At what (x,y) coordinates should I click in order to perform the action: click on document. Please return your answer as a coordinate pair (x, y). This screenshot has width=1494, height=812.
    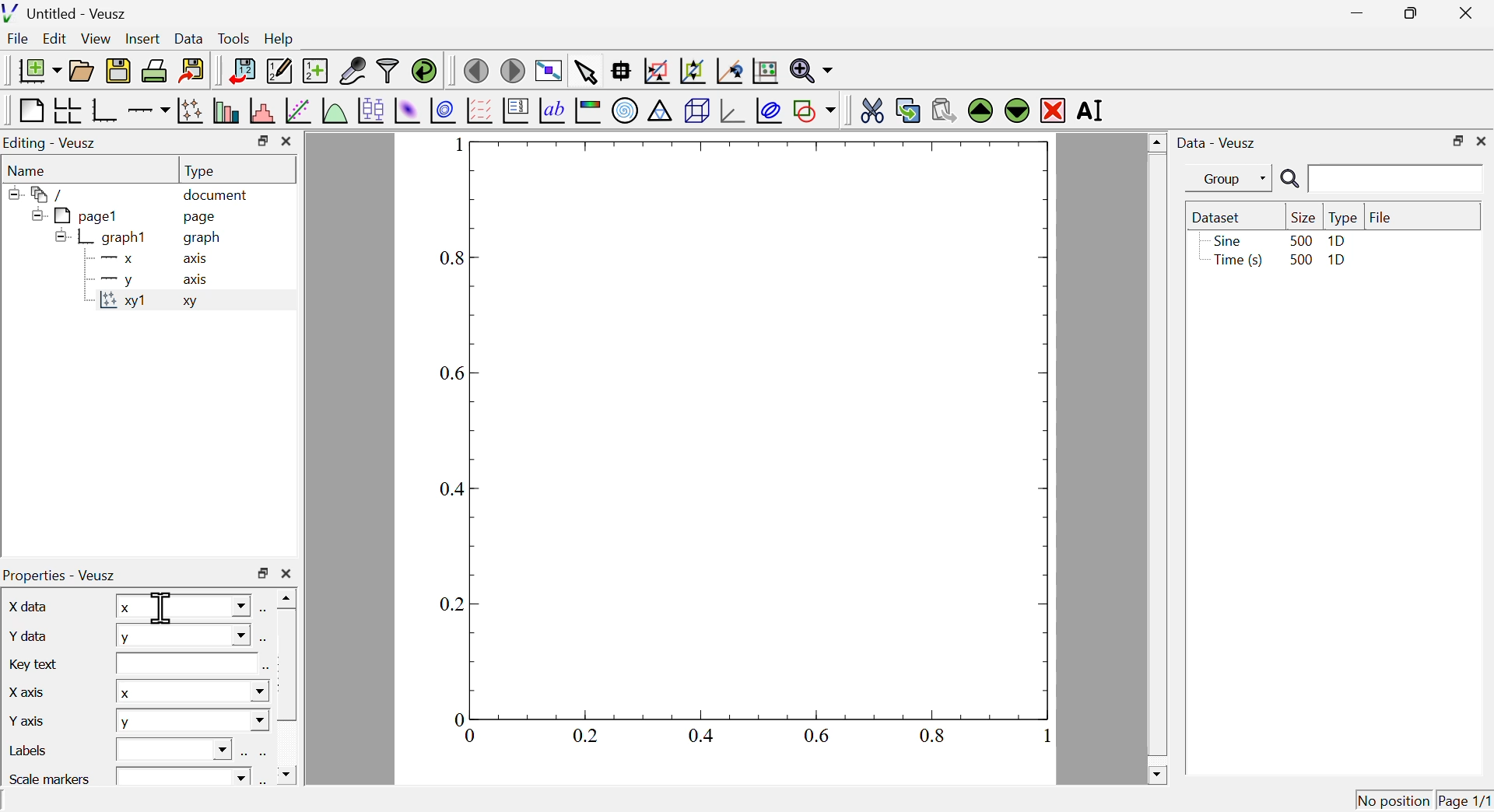
    Looking at the image, I should click on (217, 196).